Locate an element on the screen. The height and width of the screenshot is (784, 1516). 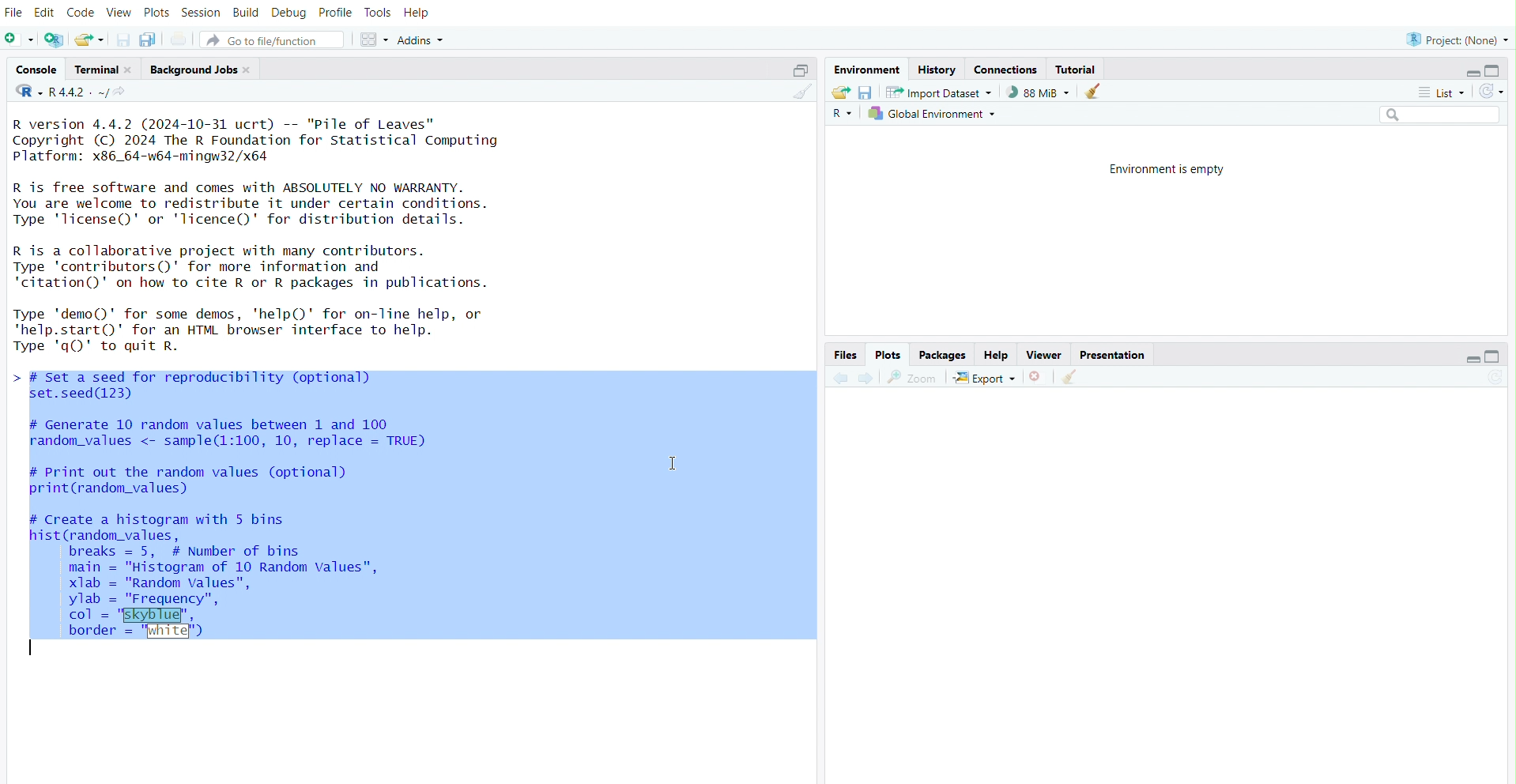
Details of R and its license is located at coordinates (289, 203).